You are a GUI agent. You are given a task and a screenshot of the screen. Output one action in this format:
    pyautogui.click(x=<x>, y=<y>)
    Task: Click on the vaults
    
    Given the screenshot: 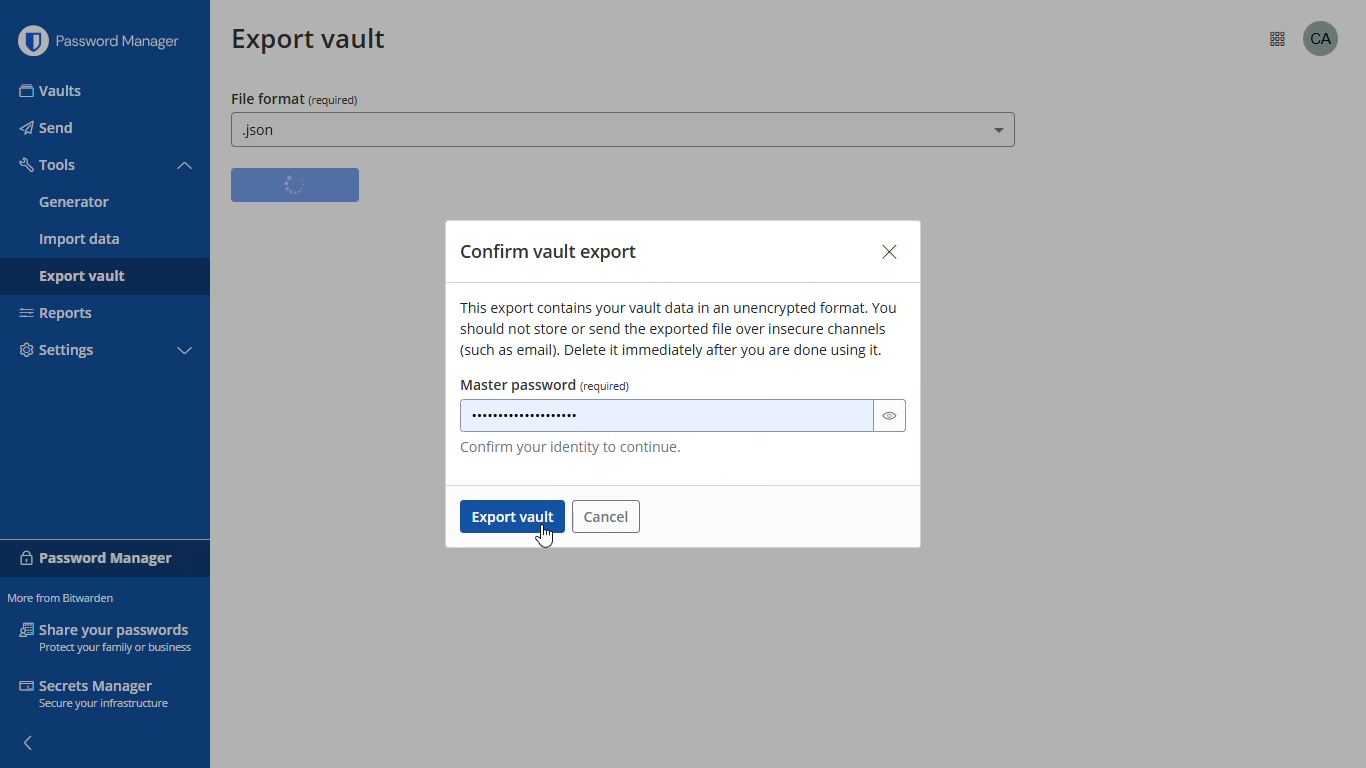 What is the action you would take?
    pyautogui.click(x=51, y=91)
    